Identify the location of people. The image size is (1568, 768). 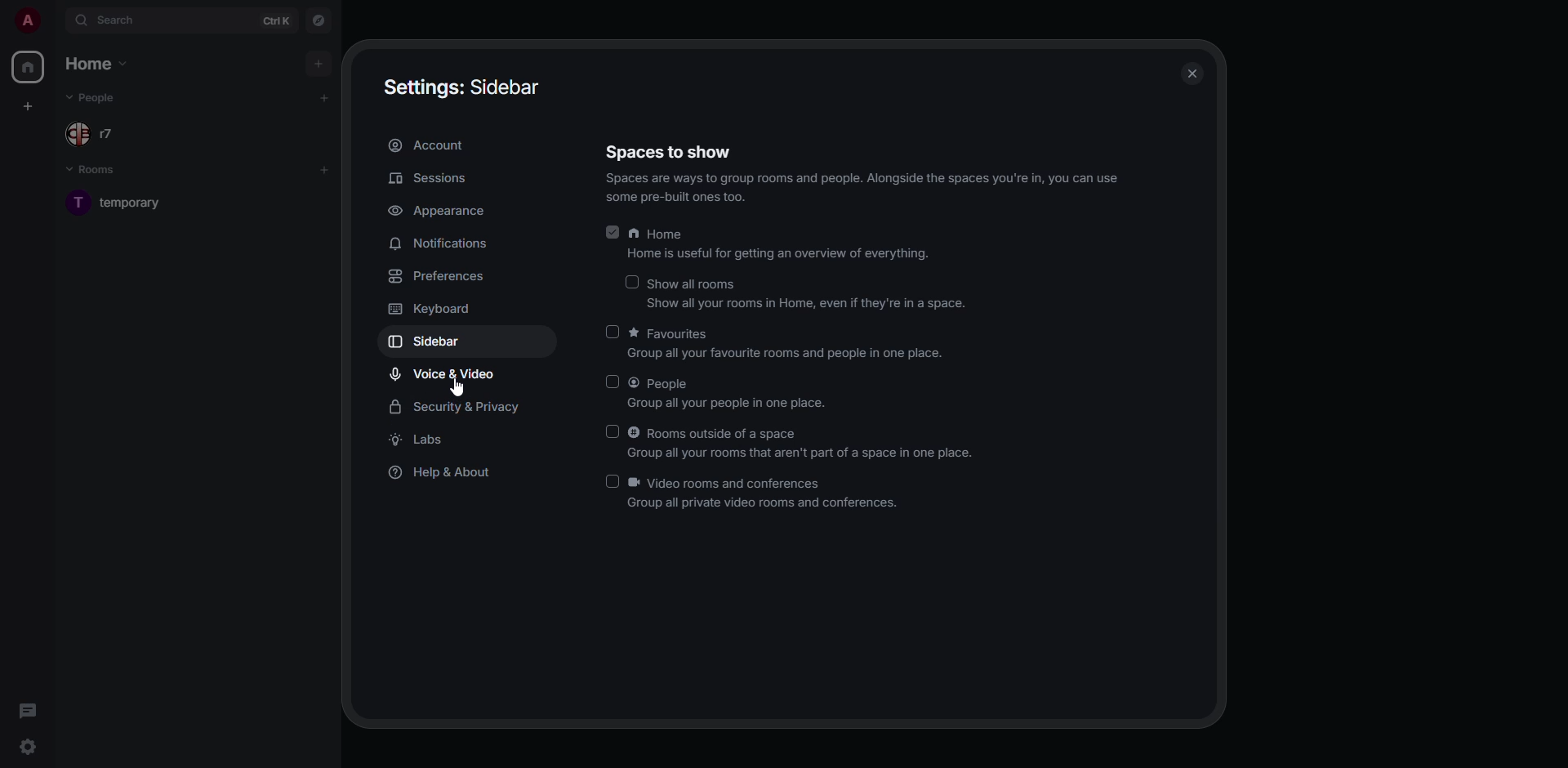
(99, 132).